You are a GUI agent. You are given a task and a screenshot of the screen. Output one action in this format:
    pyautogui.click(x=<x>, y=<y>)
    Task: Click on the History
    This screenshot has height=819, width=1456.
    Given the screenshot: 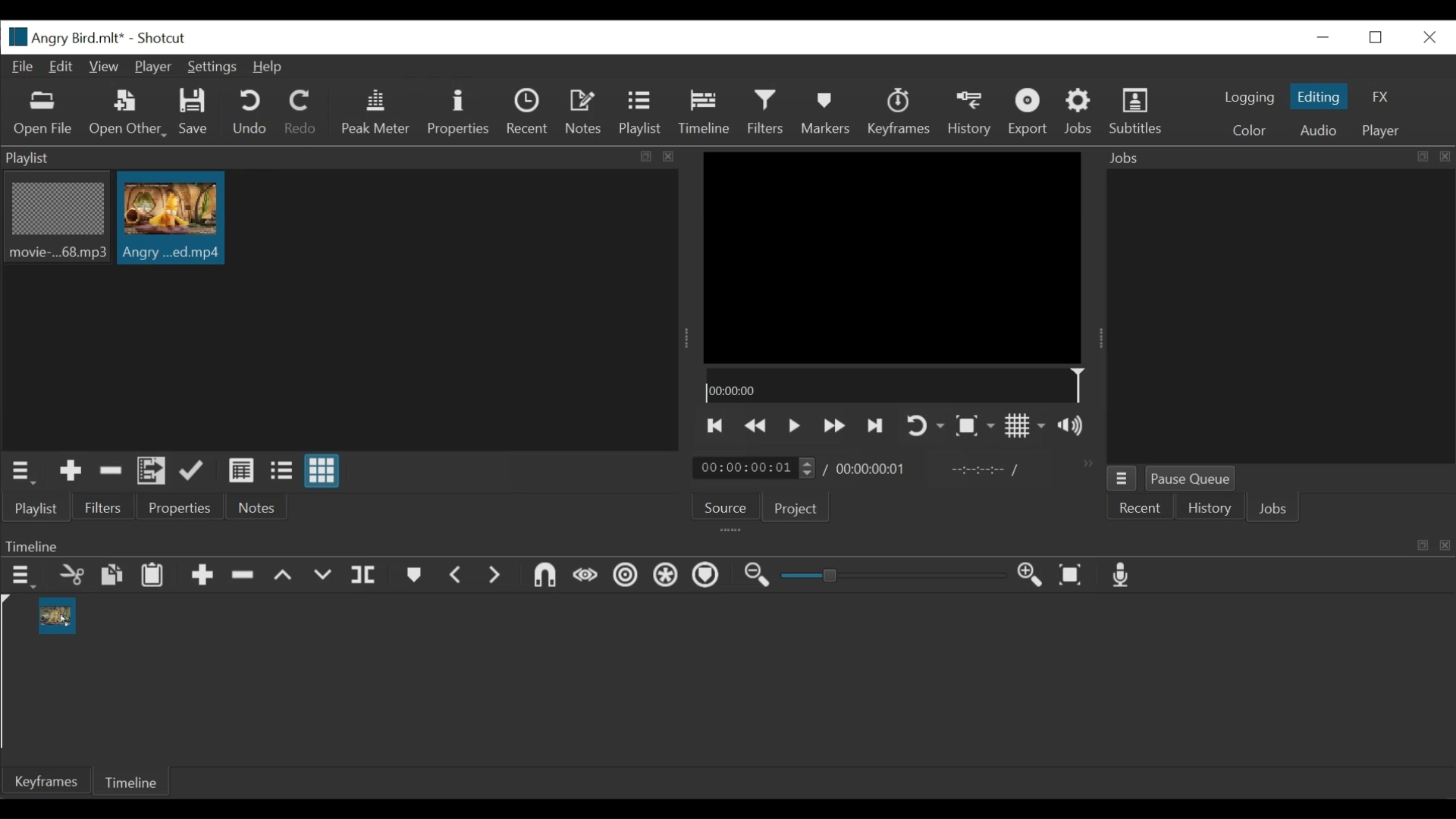 What is the action you would take?
    pyautogui.click(x=1208, y=507)
    